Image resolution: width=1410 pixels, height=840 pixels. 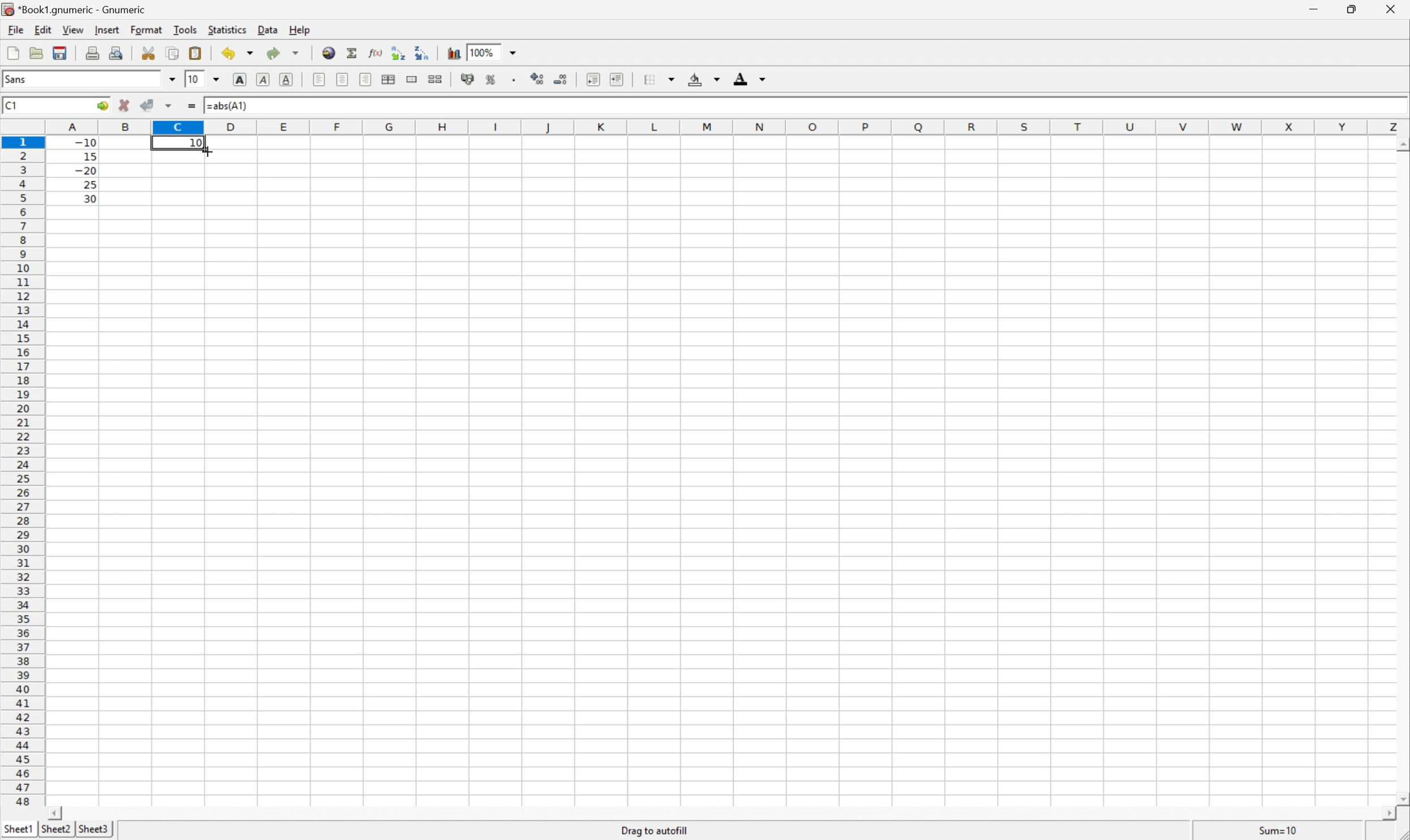 What do you see at coordinates (186, 29) in the screenshot?
I see `Tools` at bounding box center [186, 29].